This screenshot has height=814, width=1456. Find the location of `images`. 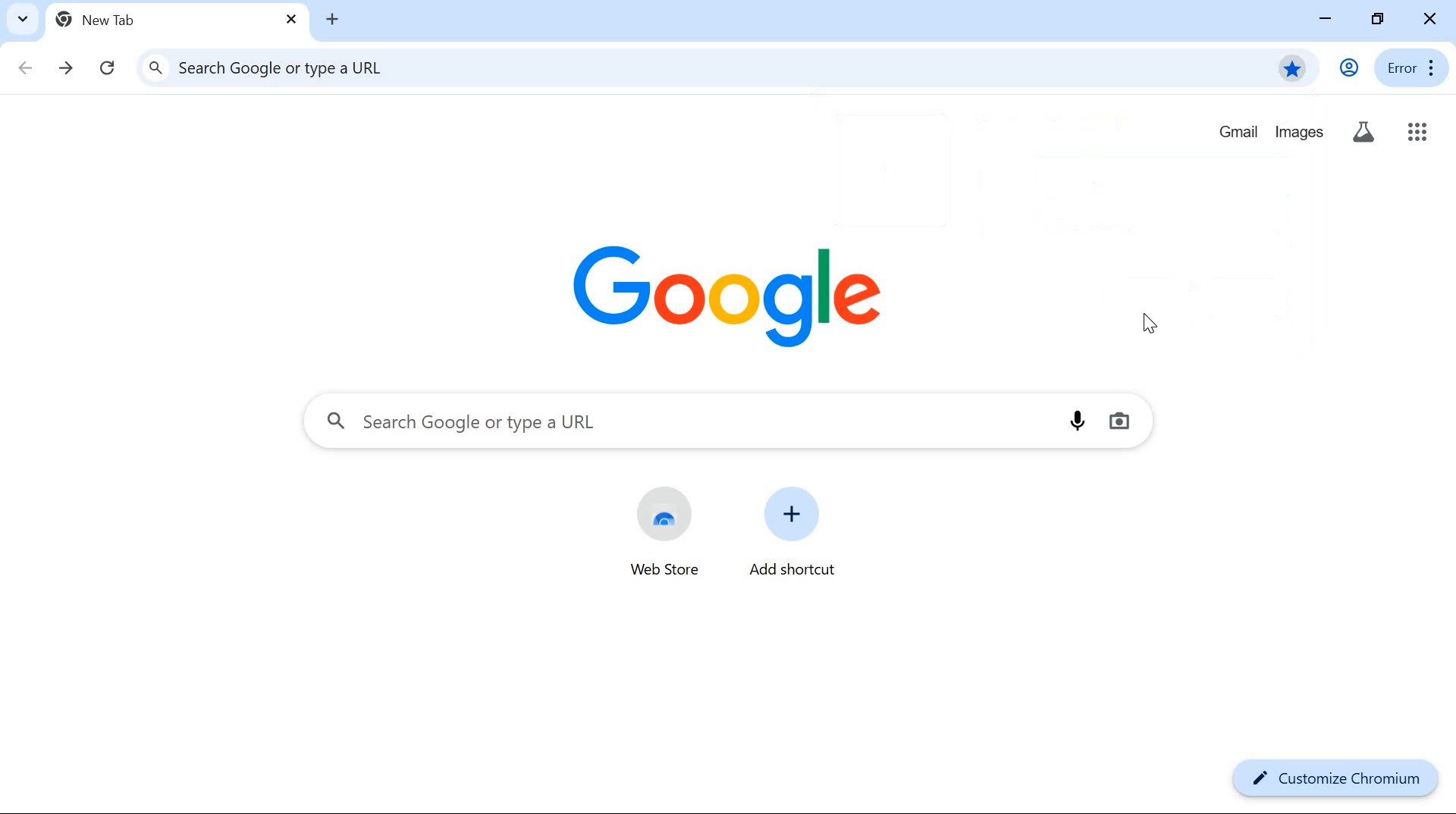

images is located at coordinates (1300, 132).